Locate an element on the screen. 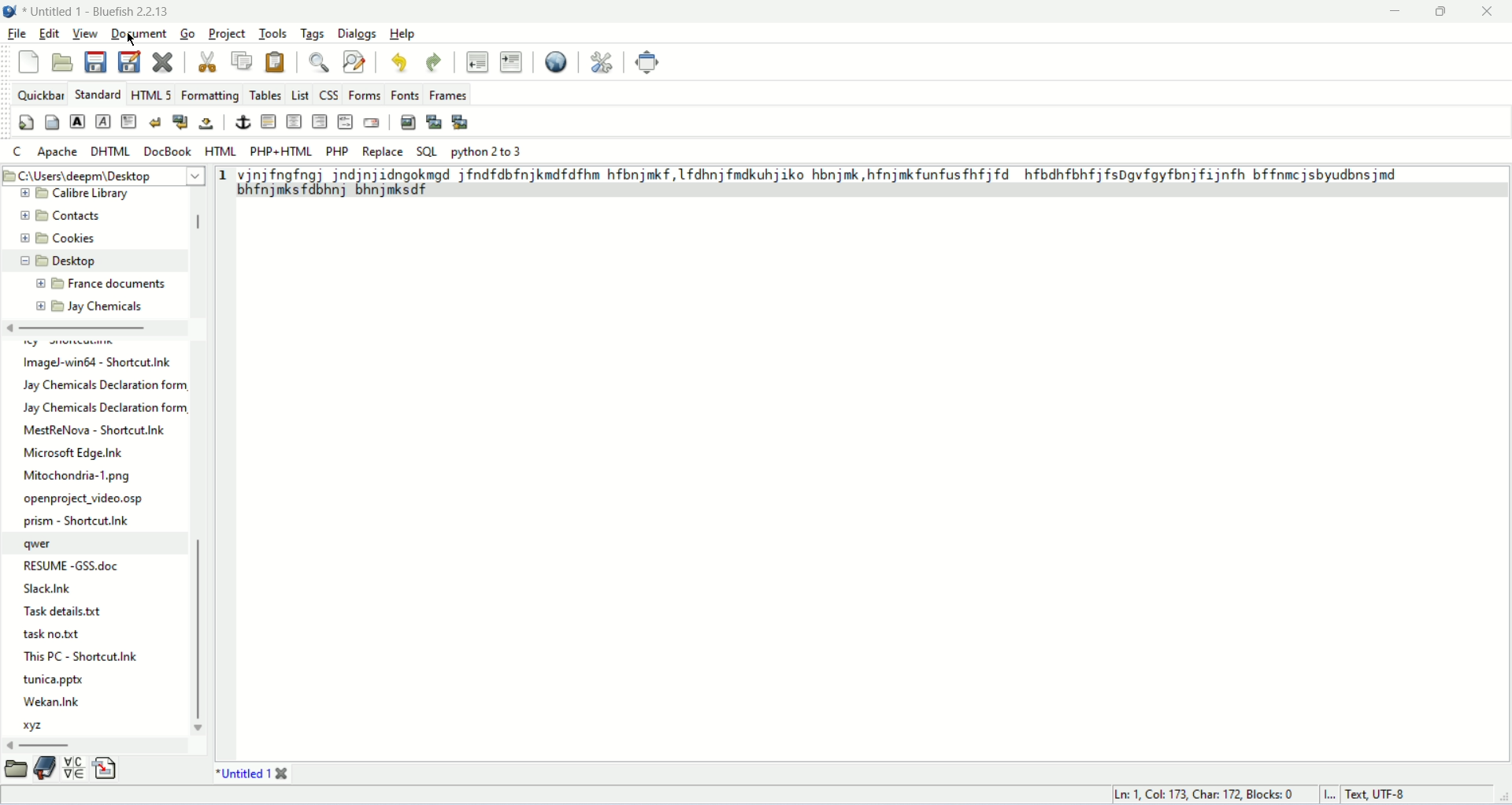 The height and width of the screenshot is (805, 1512). horizontal scroll bar is located at coordinates (46, 747).